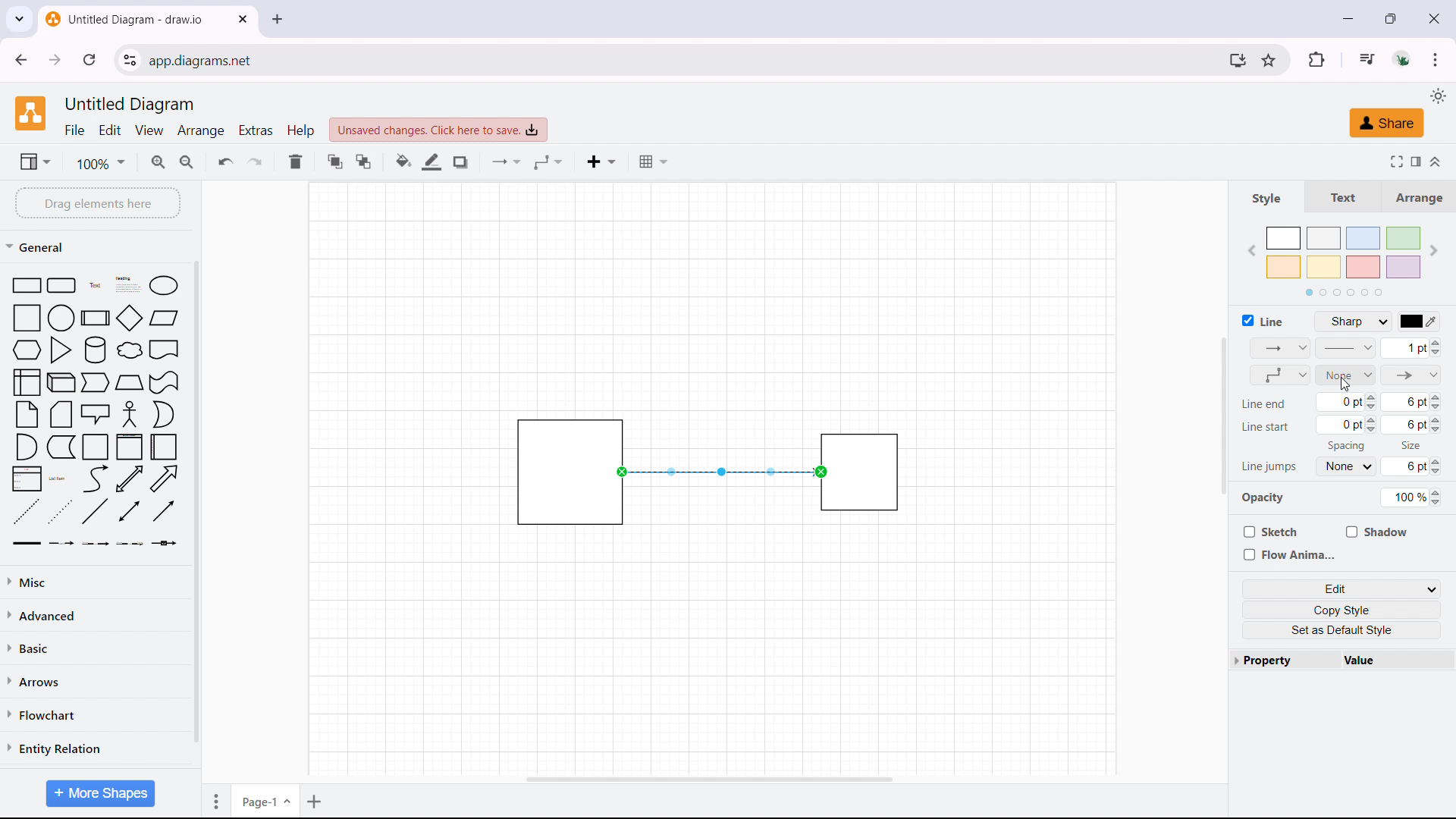 The image size is (1456, 819). What do you see at coordinates (1342, 260) in the screenshot?
I see `color styles` at bounding box center [1342, 260].